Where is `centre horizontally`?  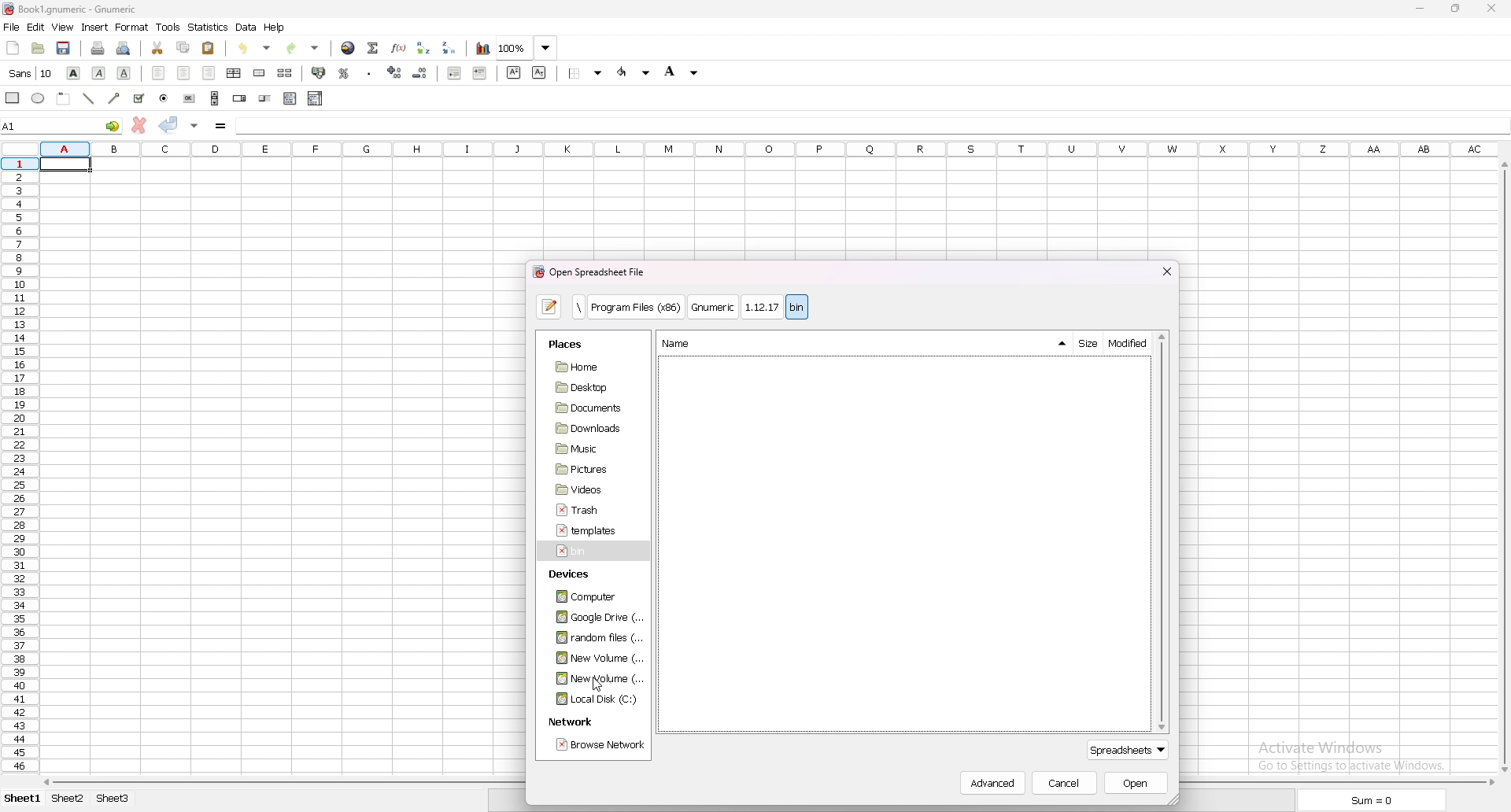 centre horizontally is located at coordinates (235, 73).